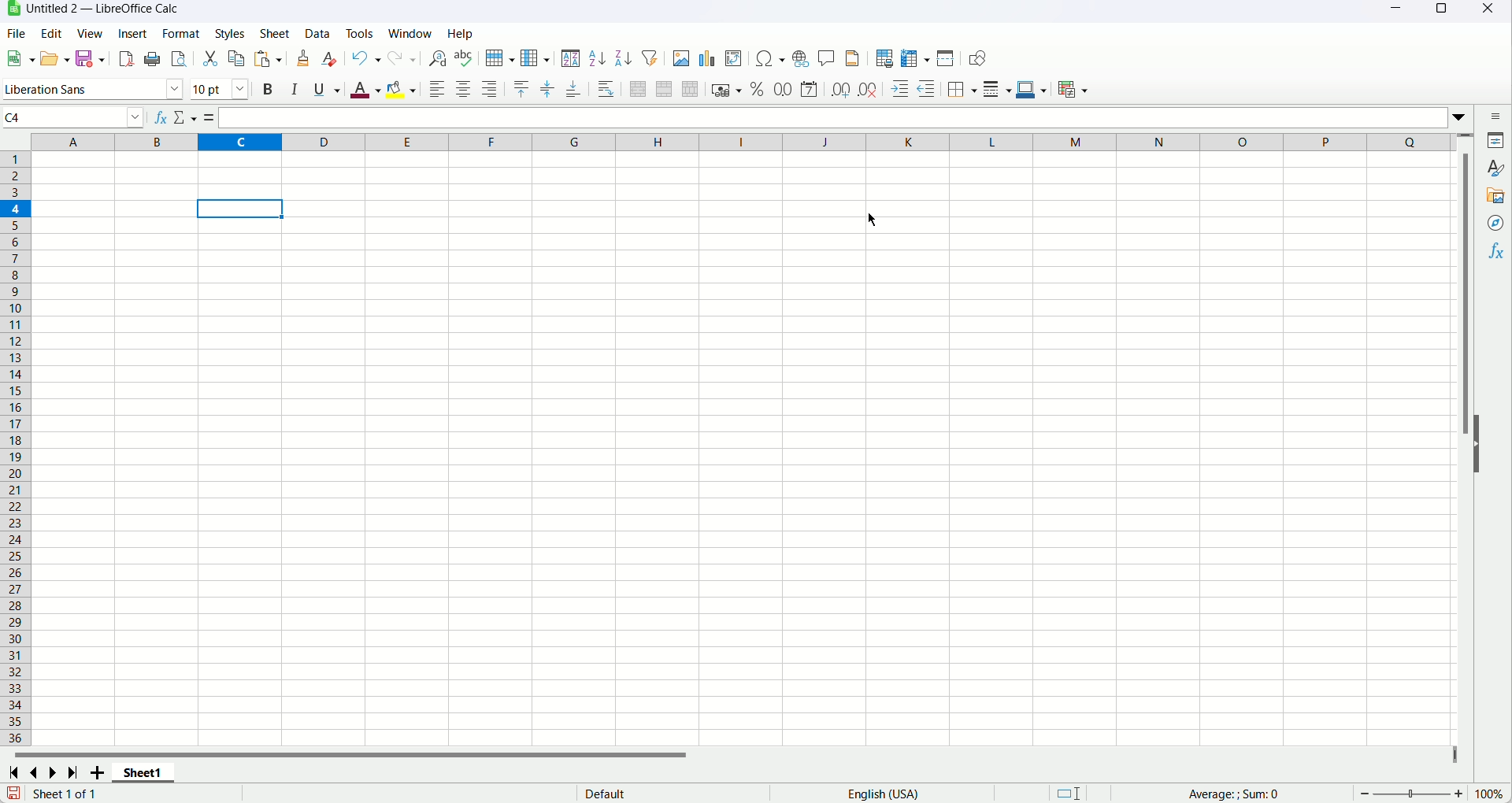  Describe the element at coordinates (1067, 793) in the screenshot. I see `Standard selection` at that location.